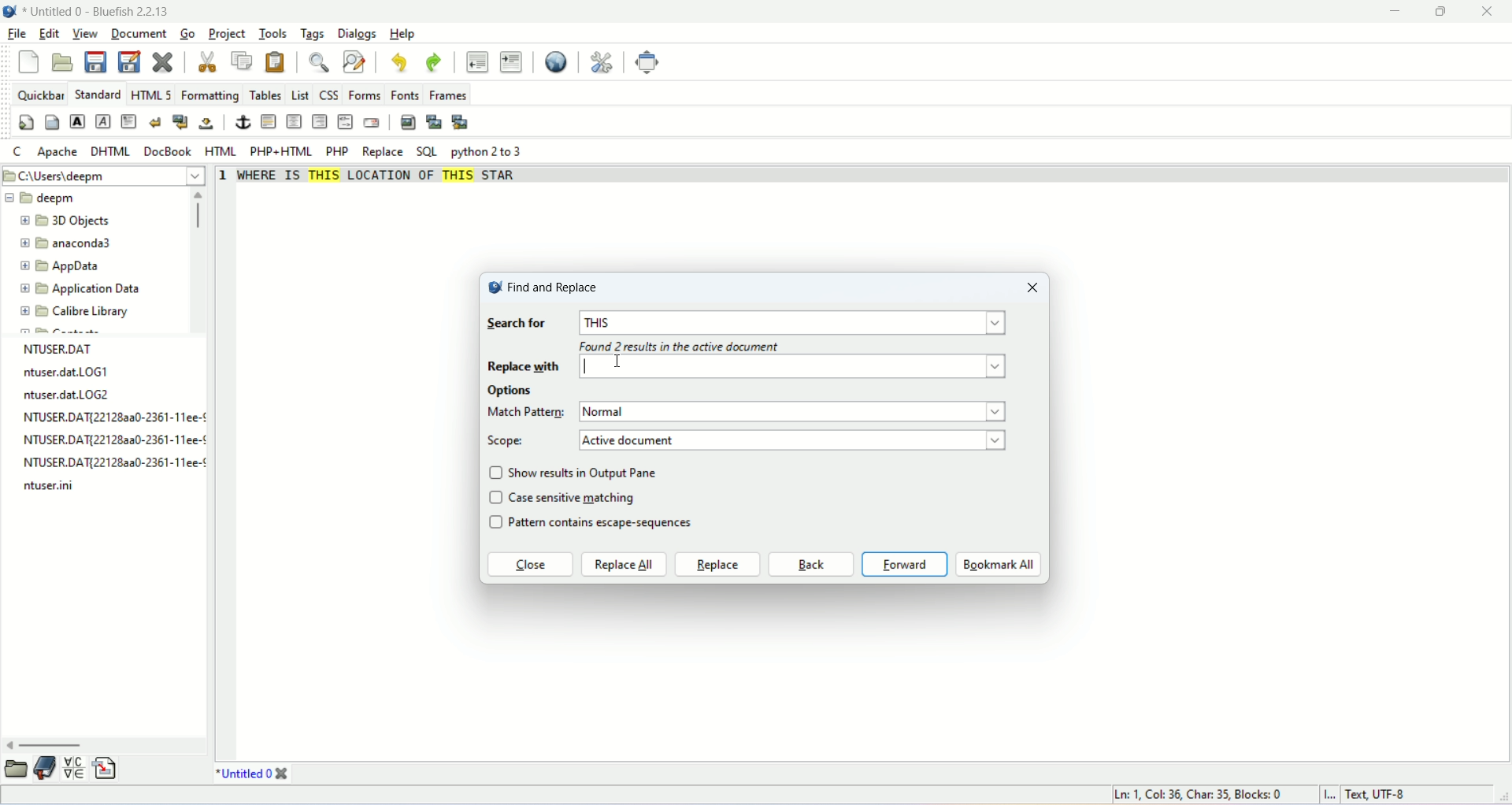 Image resolution: width=1512 pixels, height=805 pixels. Describe the element at coordinates (209, 96) in the screenshot. I see `formatting` at that location.